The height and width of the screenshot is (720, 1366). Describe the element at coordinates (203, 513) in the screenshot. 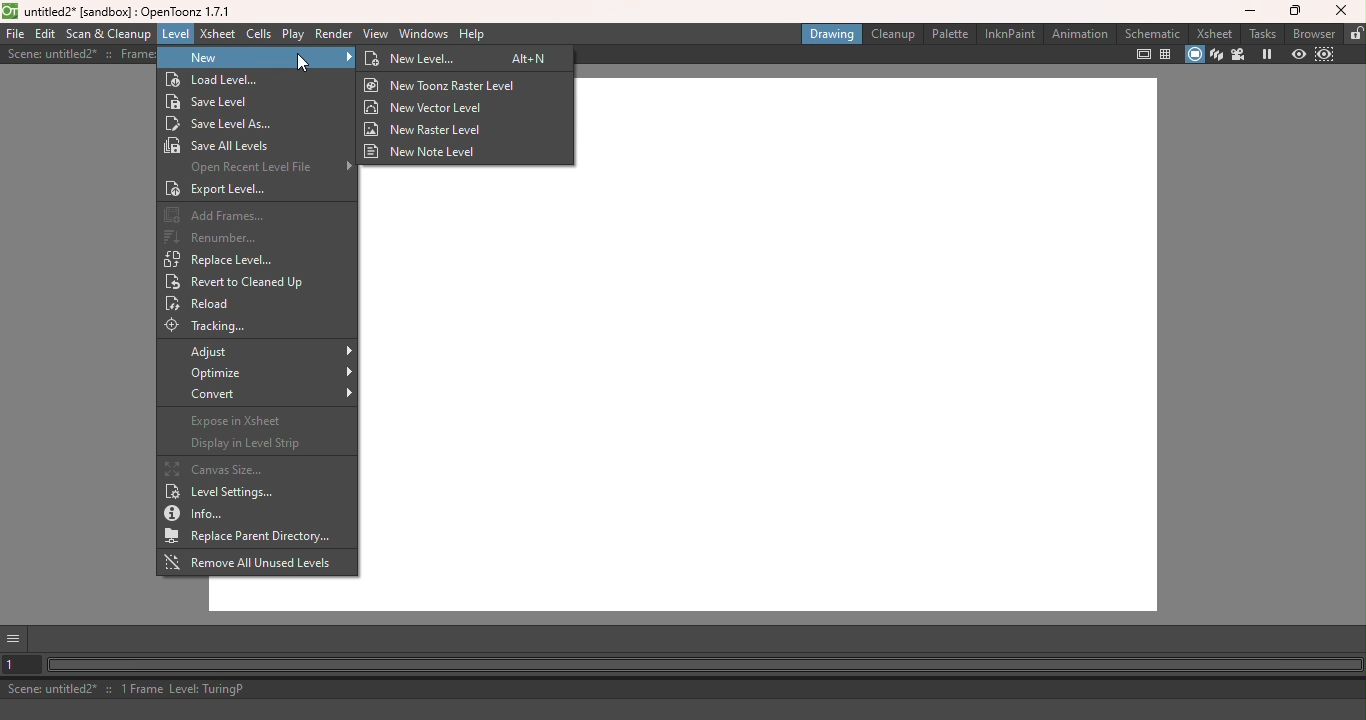

I see `Info` at that location.